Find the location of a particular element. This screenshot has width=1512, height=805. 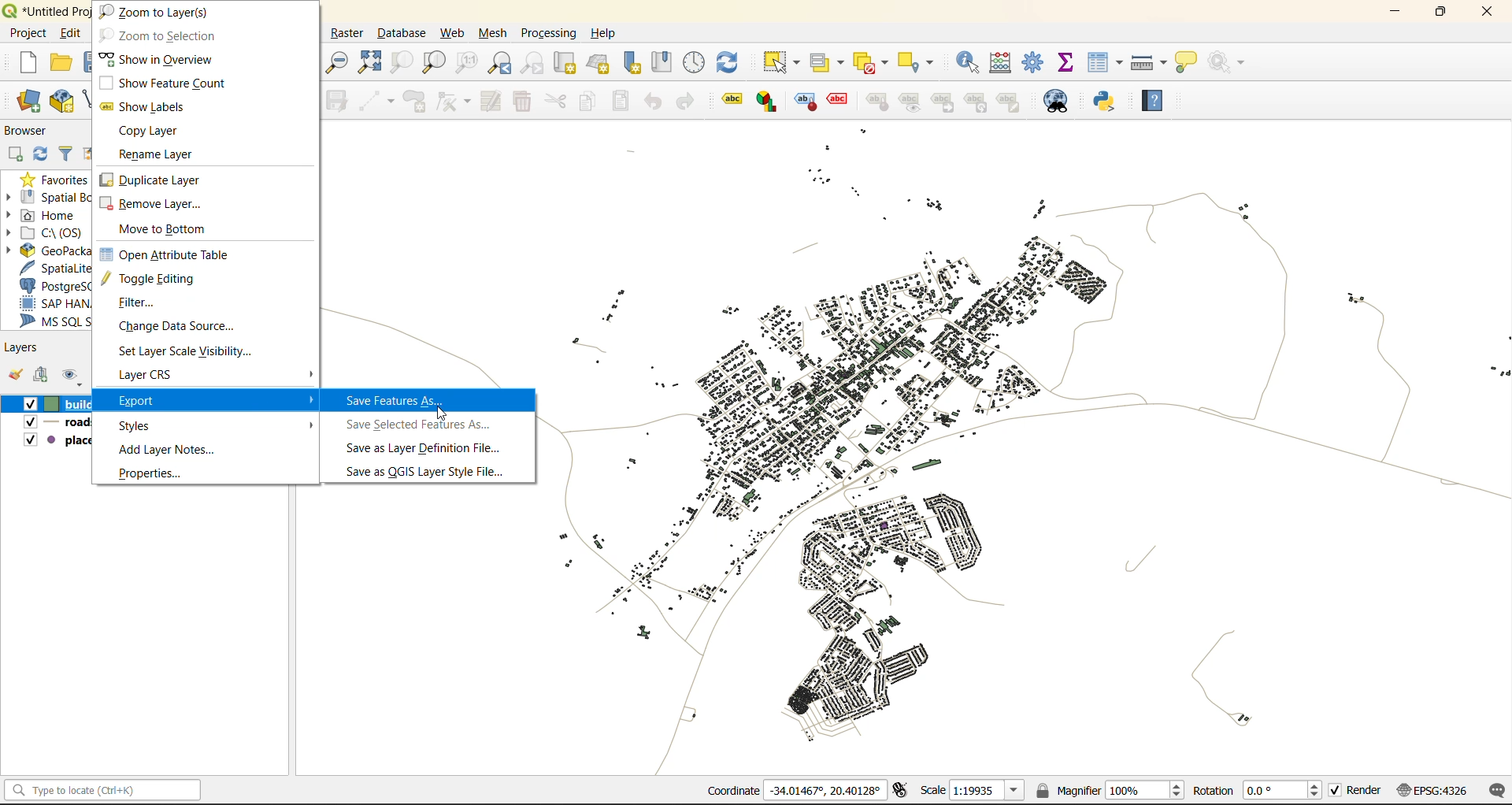

save as QGIS layer style file is located at coordinates (427, 472).